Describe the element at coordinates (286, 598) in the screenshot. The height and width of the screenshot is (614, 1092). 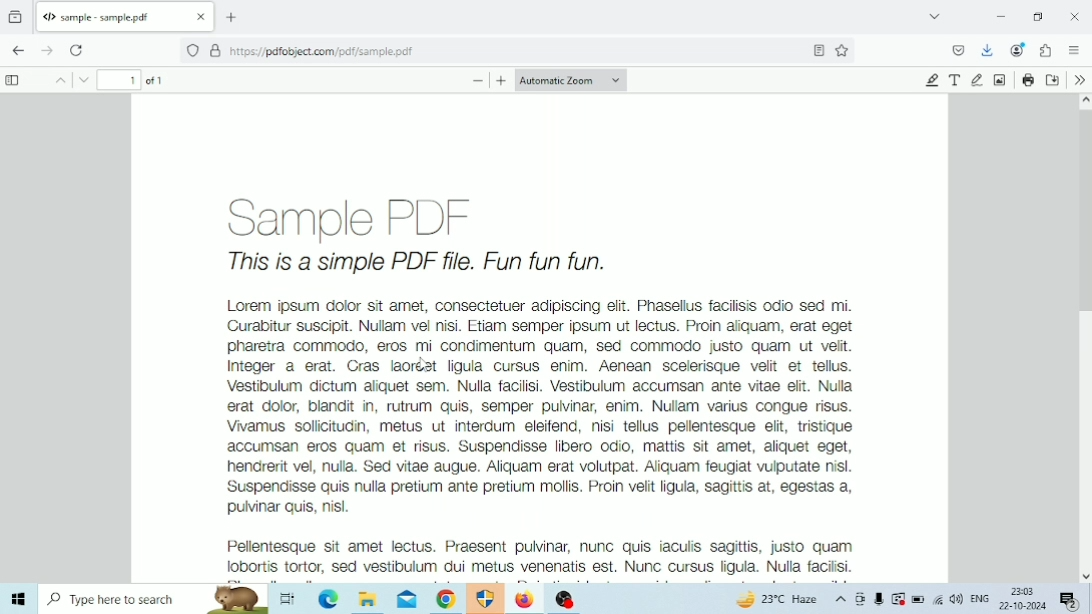
I see `Task View` at that location.